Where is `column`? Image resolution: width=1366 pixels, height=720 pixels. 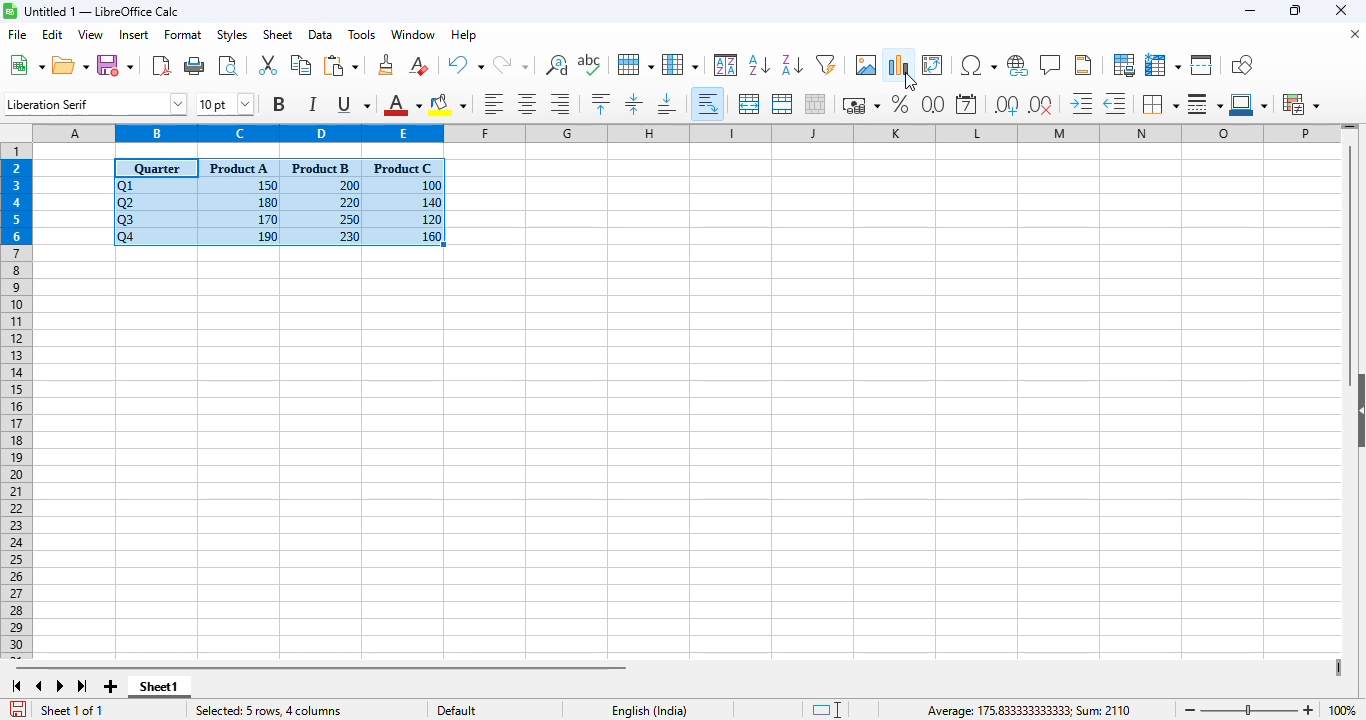
column is located at coordinates (680, 64).